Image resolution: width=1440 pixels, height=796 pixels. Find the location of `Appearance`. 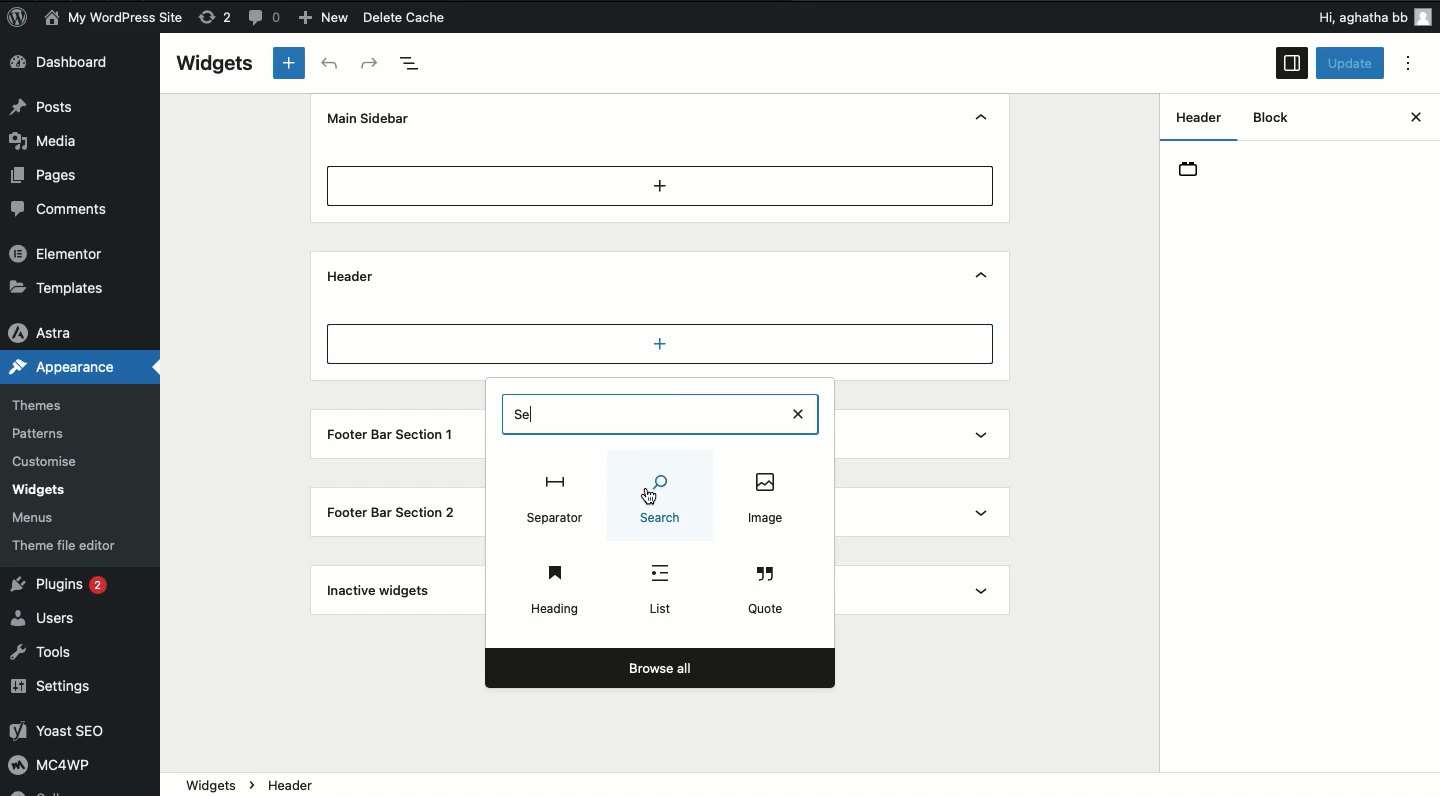

Appearance is located at coordinates (67, 367).